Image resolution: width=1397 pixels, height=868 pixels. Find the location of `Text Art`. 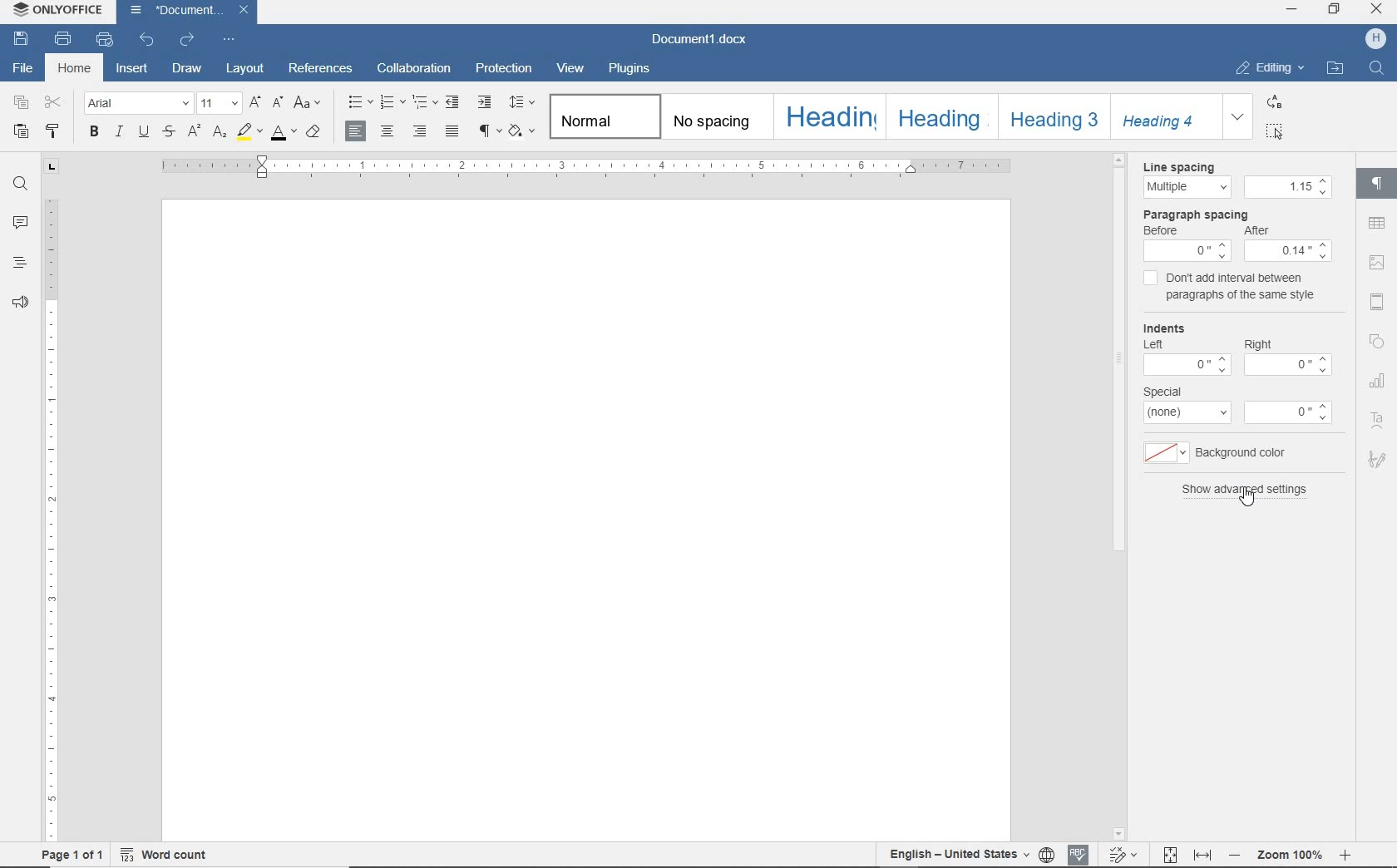

Text Art is located at coordinates (1379, 421).